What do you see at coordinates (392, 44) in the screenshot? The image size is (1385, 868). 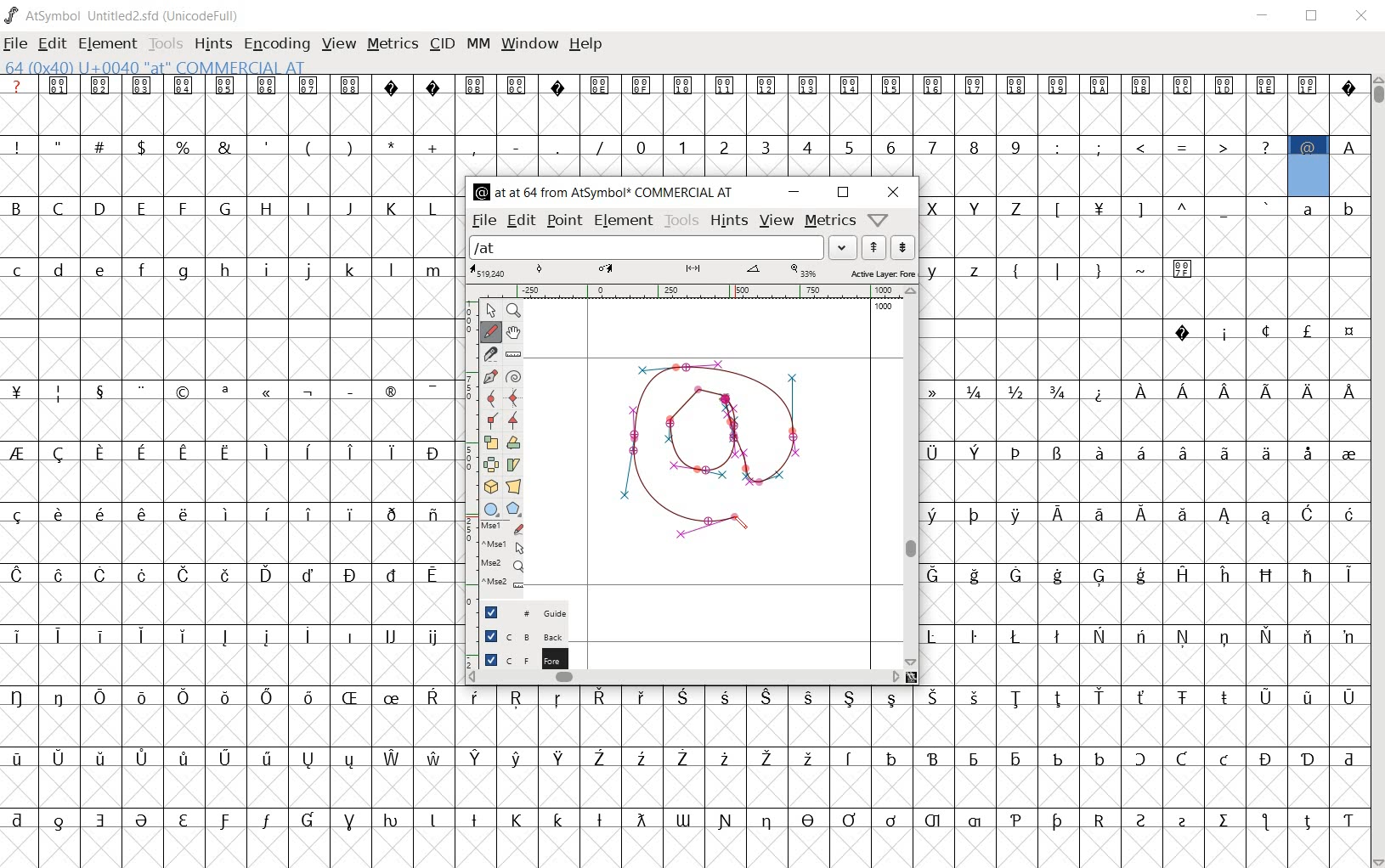 I see `METRICS` at bounding box center [392, 44].